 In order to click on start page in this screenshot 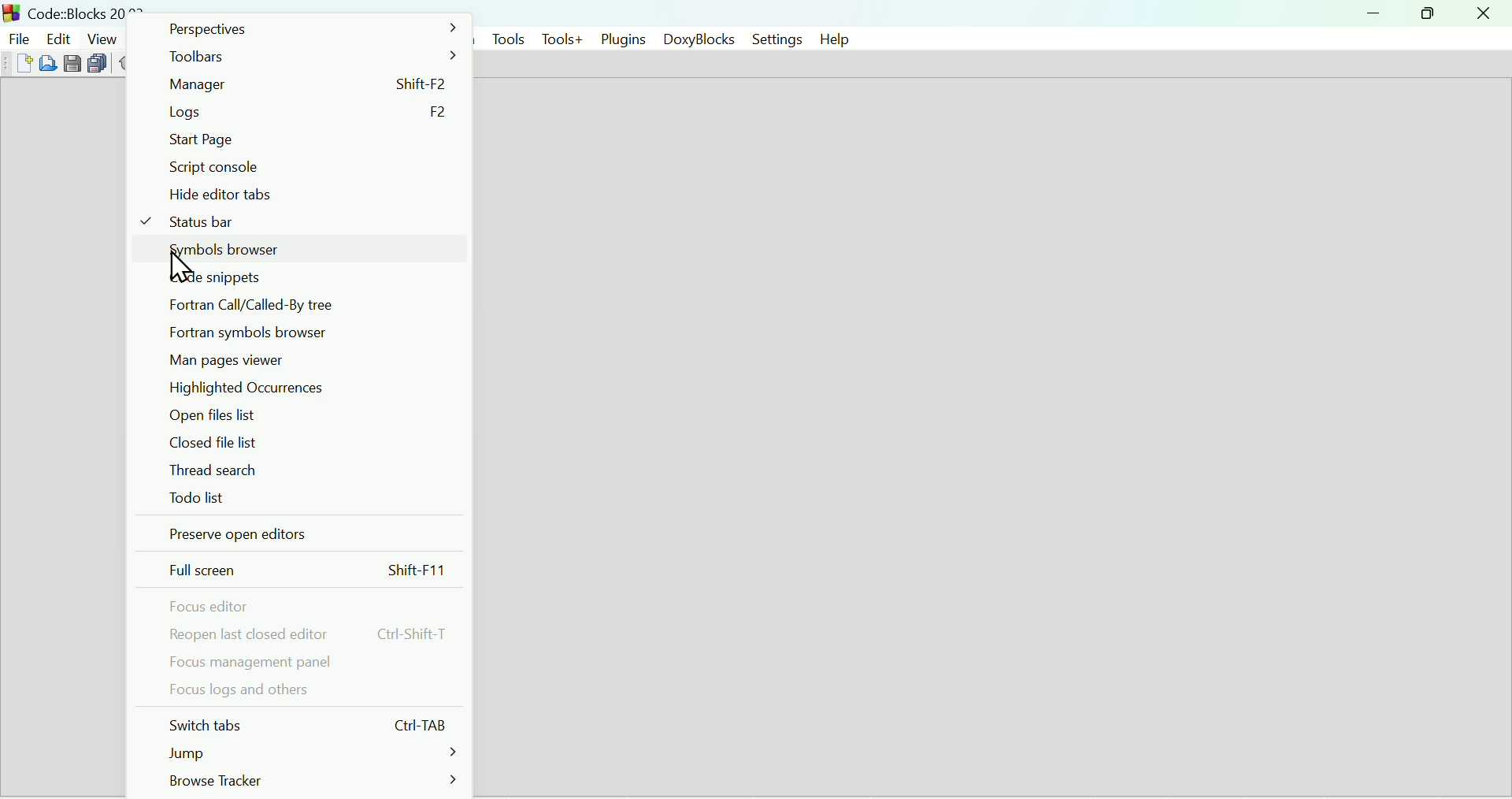, I will do `click(306, 139)`.